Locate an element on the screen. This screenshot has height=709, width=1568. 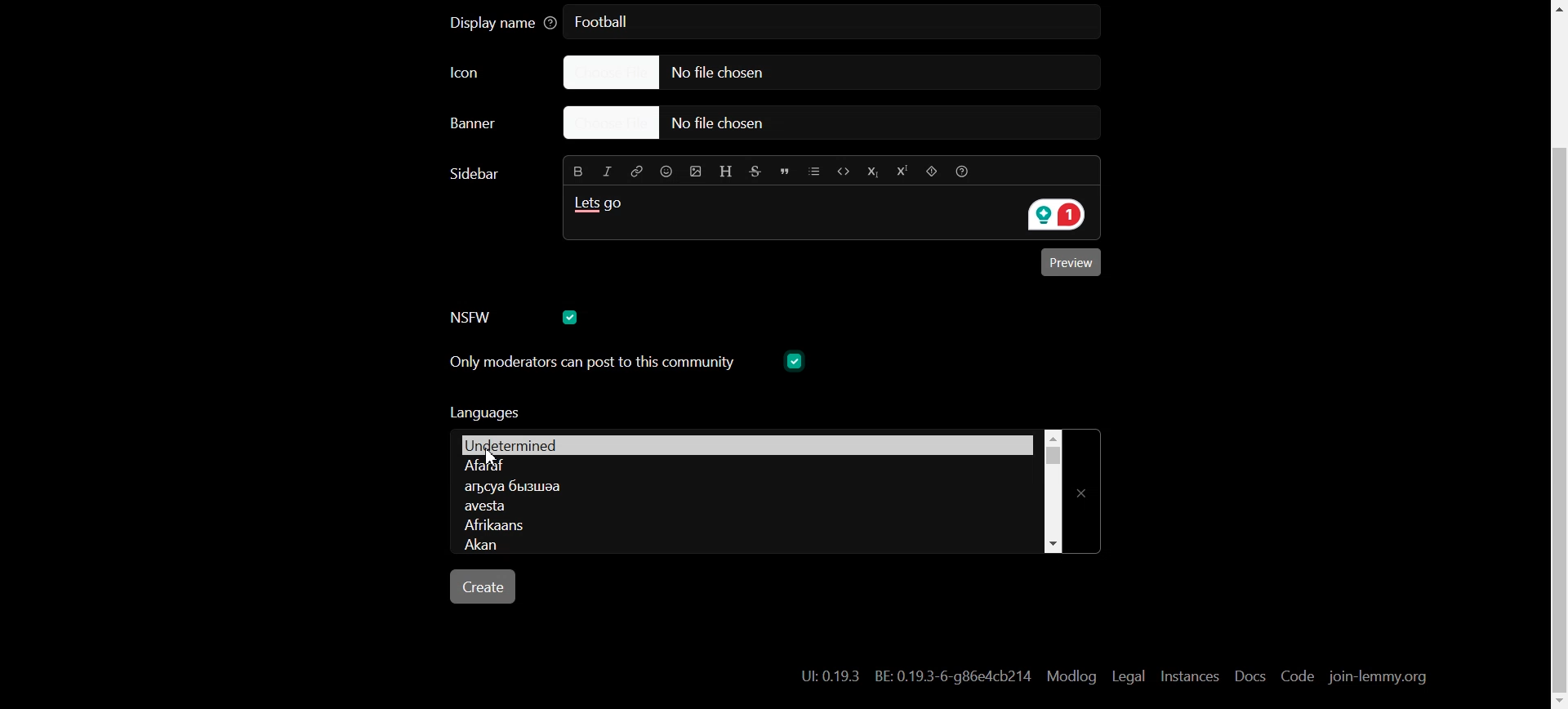
check is located at coordinates (793, 360).